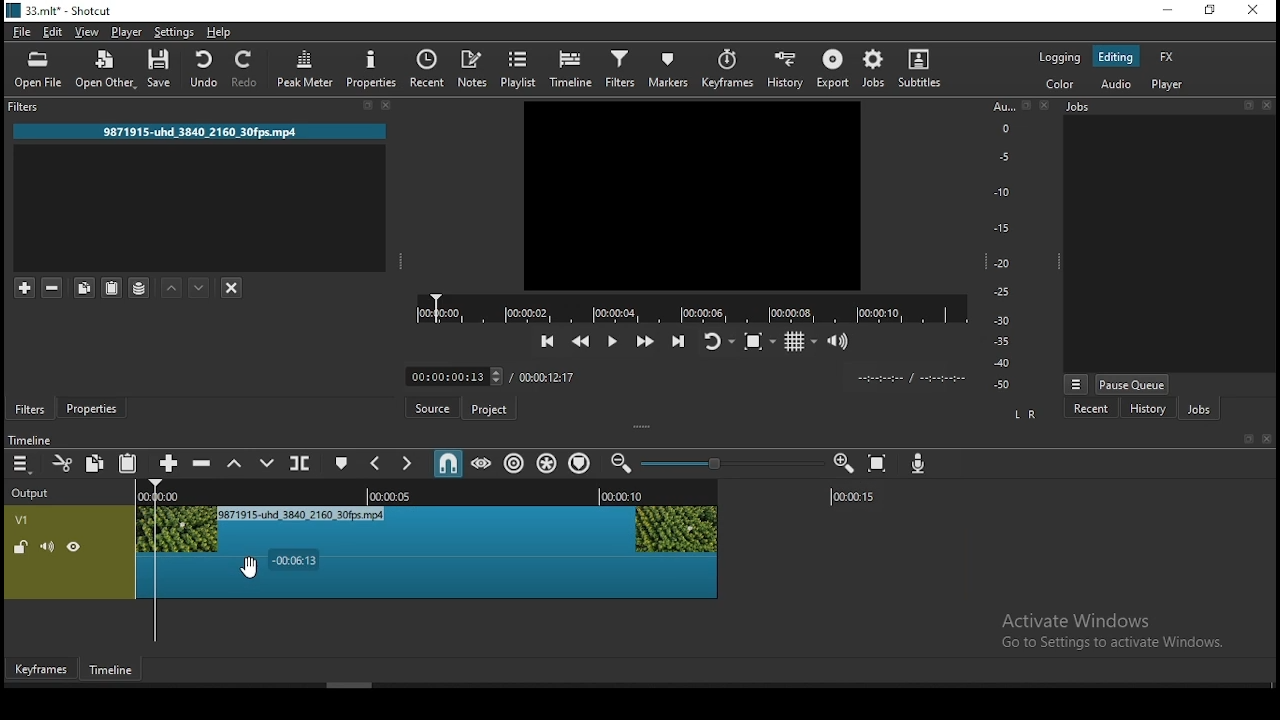 This screenshot has height=720, width=1280. Describe the element at coordinates (759, 340) in the screenshot. I see `toggle zoom` at that location.